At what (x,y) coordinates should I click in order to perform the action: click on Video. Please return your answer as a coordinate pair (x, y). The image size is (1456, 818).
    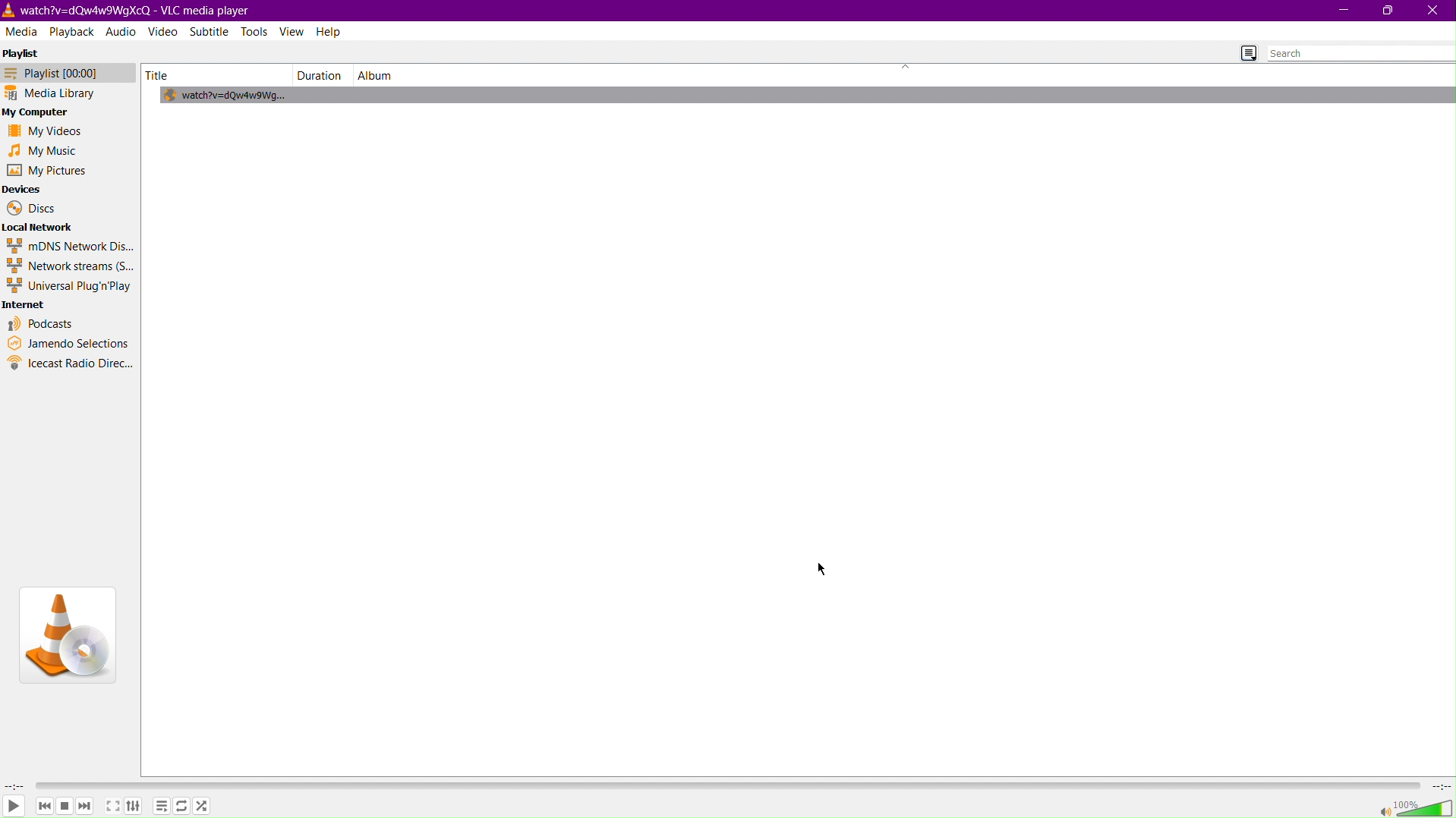
    Looking at the image, I should click on (164, 30).